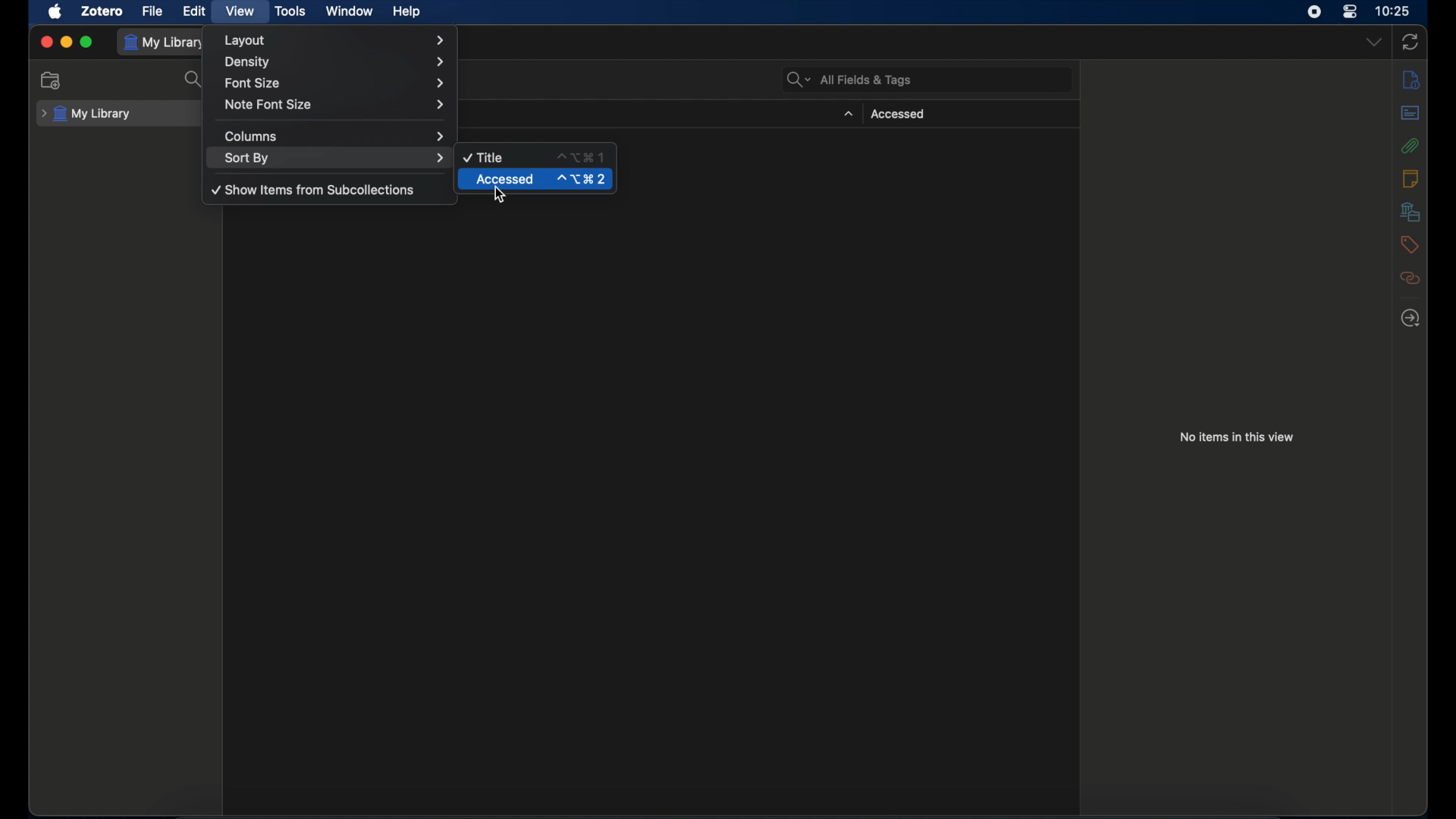  What do you see at coordinates (579, 156) in the screenshot?
I see `shortcut` at bounding box center [579, 156].